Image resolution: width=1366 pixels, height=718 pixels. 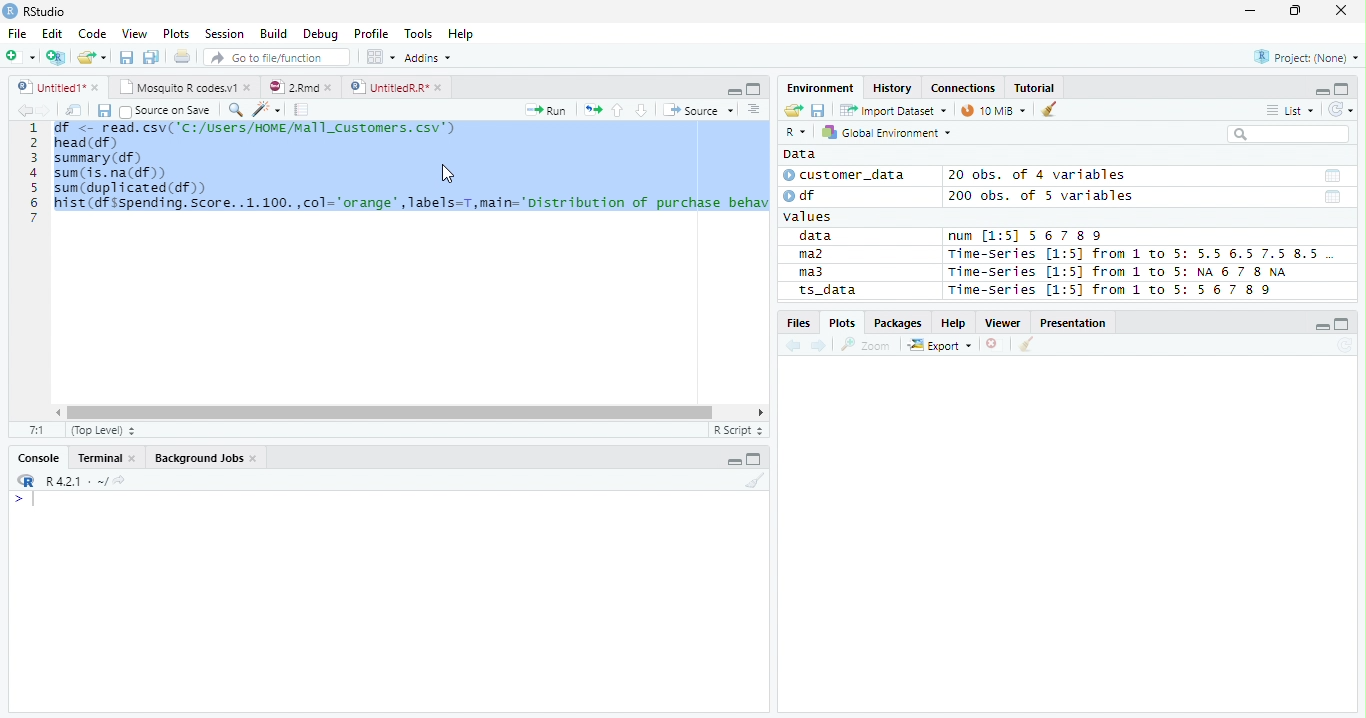 What do you see at coordinates (1289, 111) in the screenshot?
I see `List` at bounding box center [1289, 111].